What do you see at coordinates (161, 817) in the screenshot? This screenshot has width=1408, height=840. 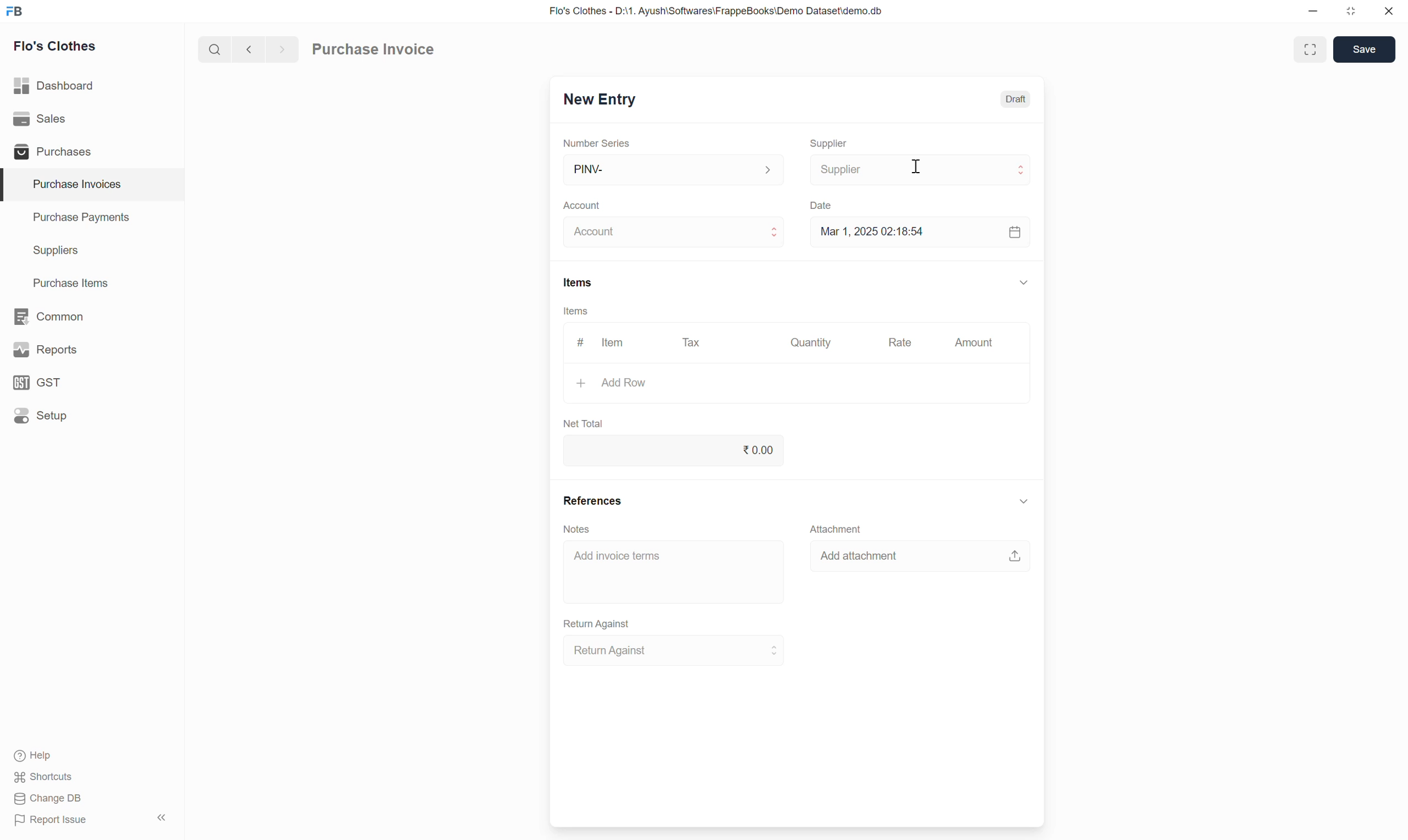 I see `Collapse` at bounding box center [161, 817].